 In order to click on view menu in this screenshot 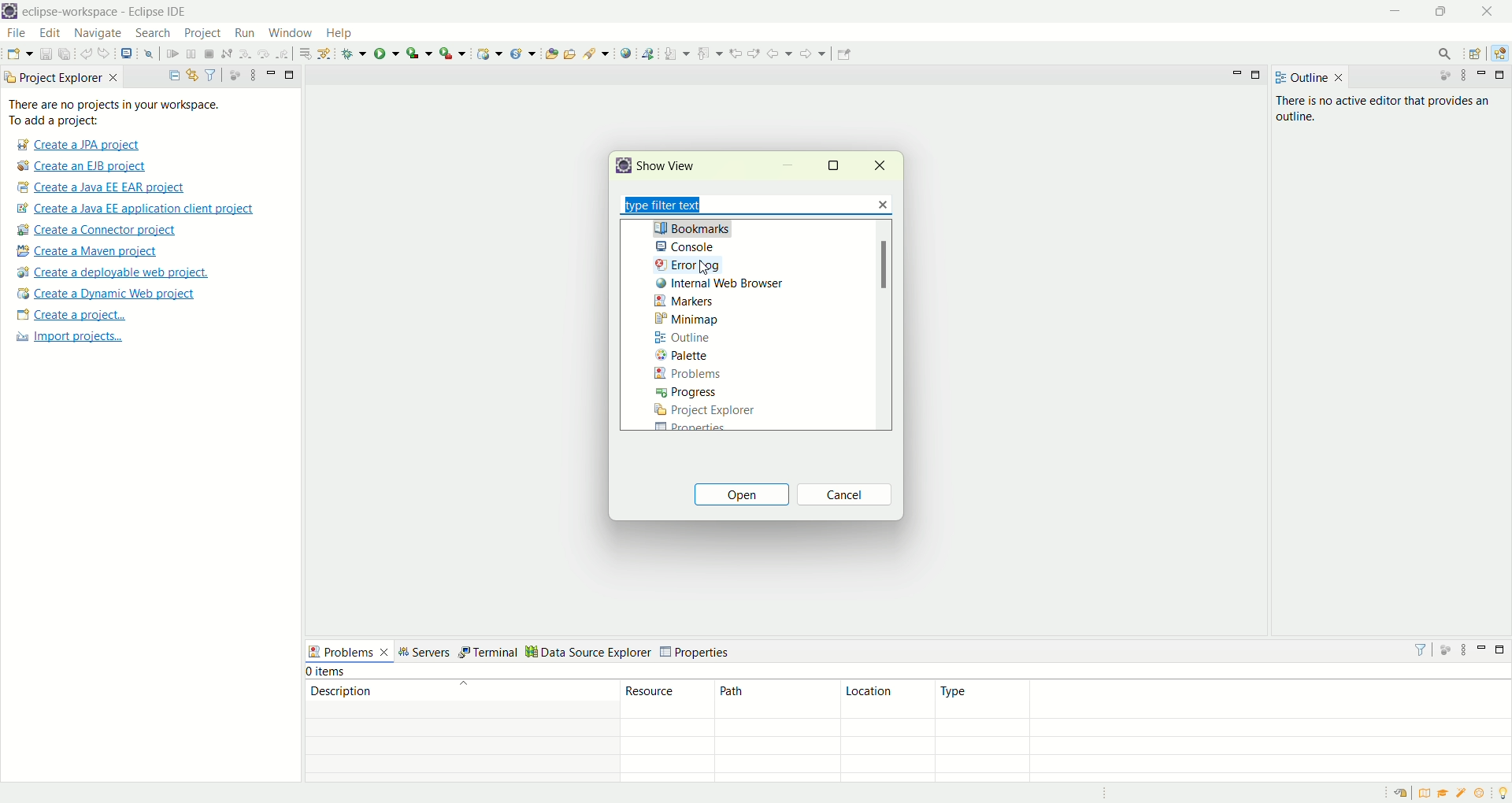, I will do `click(250, 75)`.